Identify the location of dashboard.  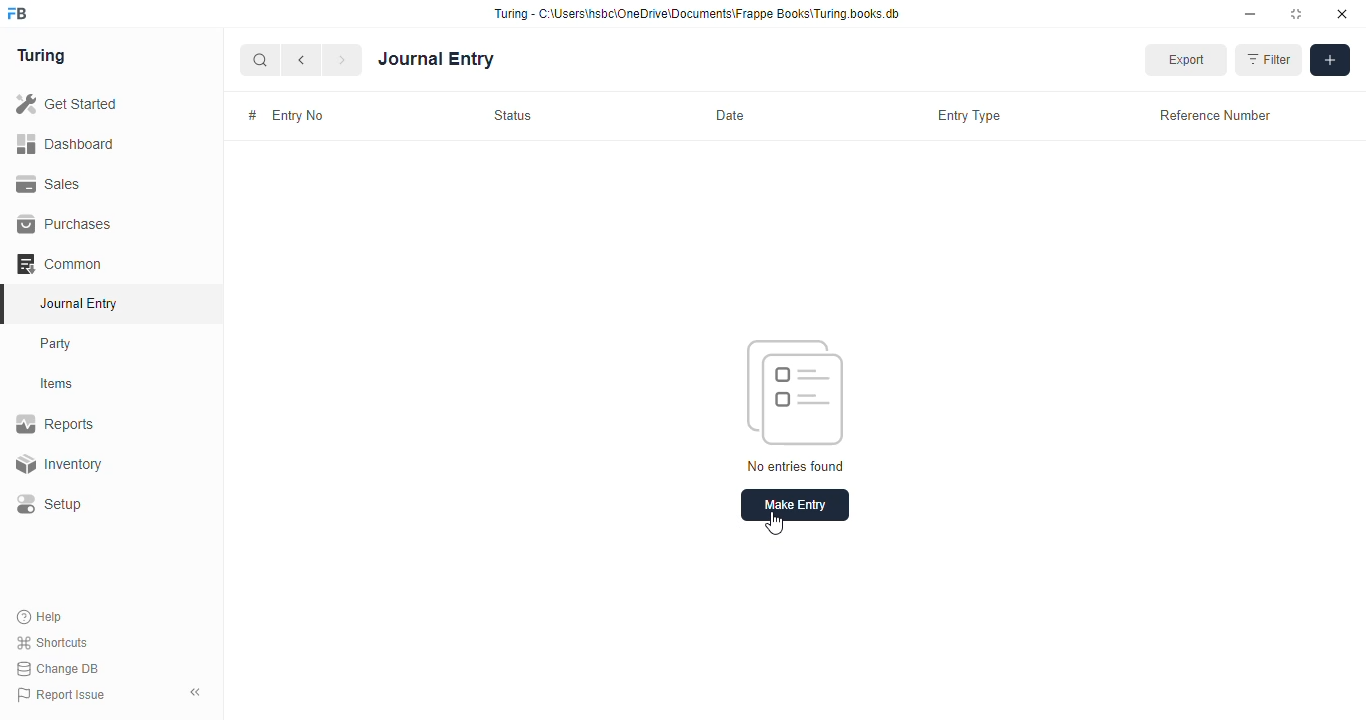
(66, 143).